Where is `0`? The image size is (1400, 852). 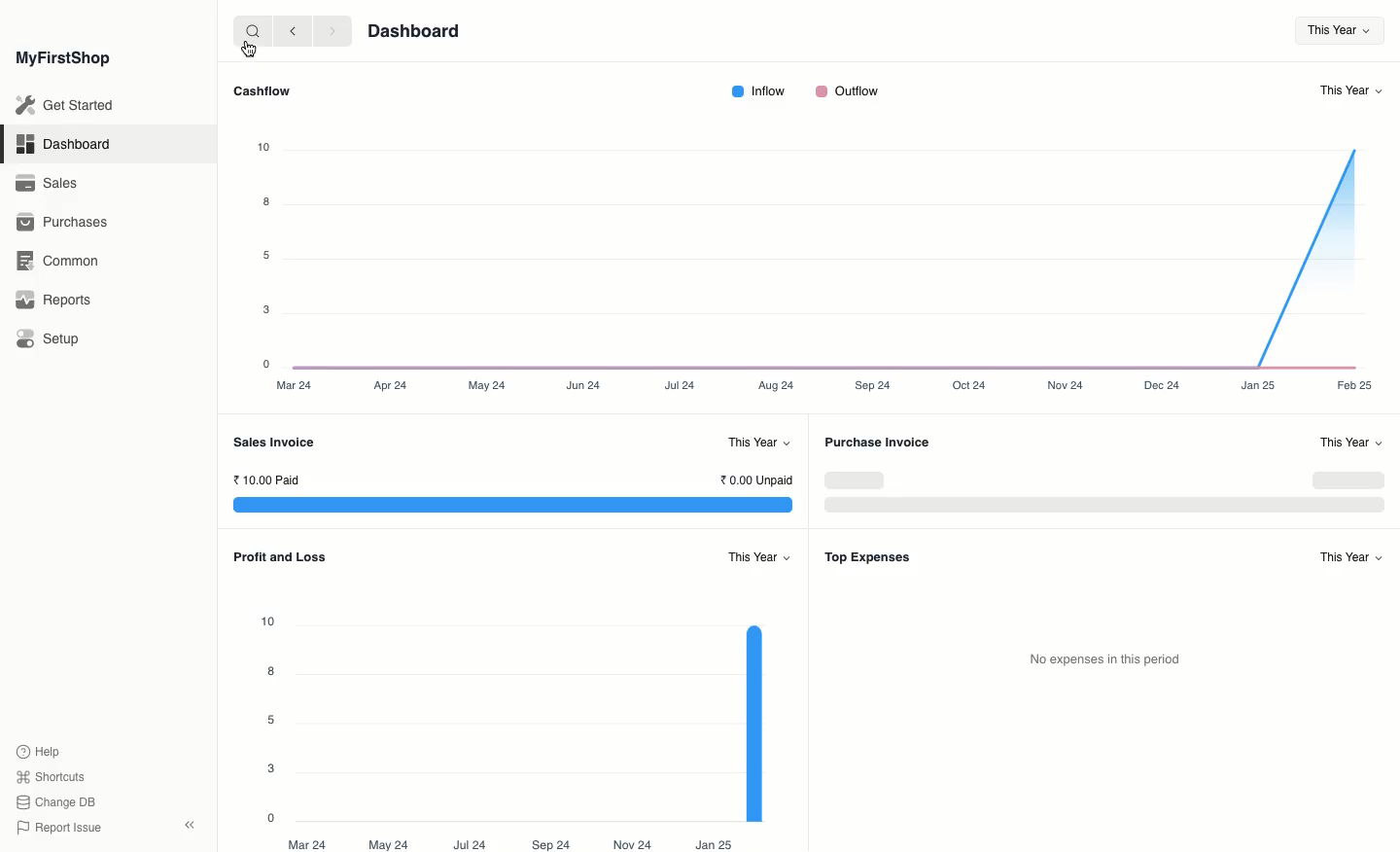
0 is located at coordinates (271, 817).